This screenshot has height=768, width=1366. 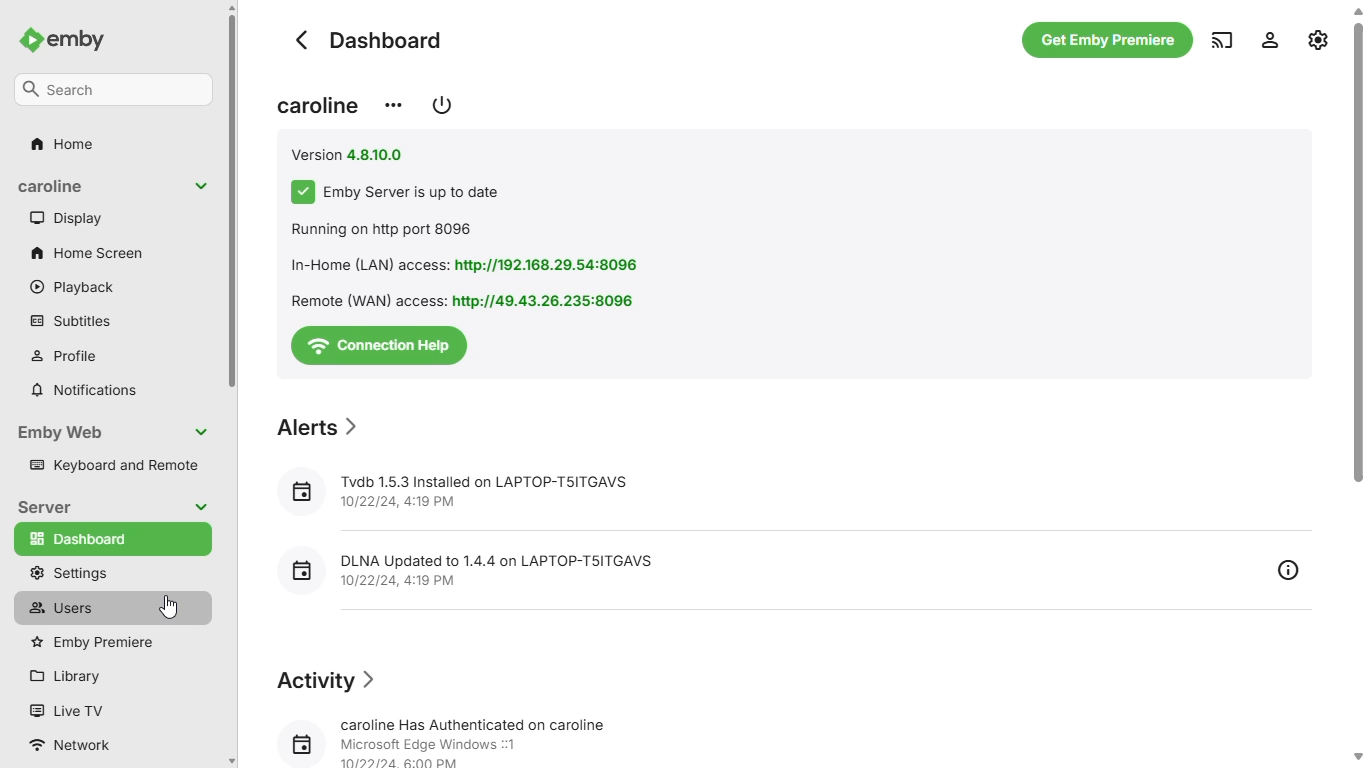 I want to click on manage emby server, so click(x=1318, y=38).